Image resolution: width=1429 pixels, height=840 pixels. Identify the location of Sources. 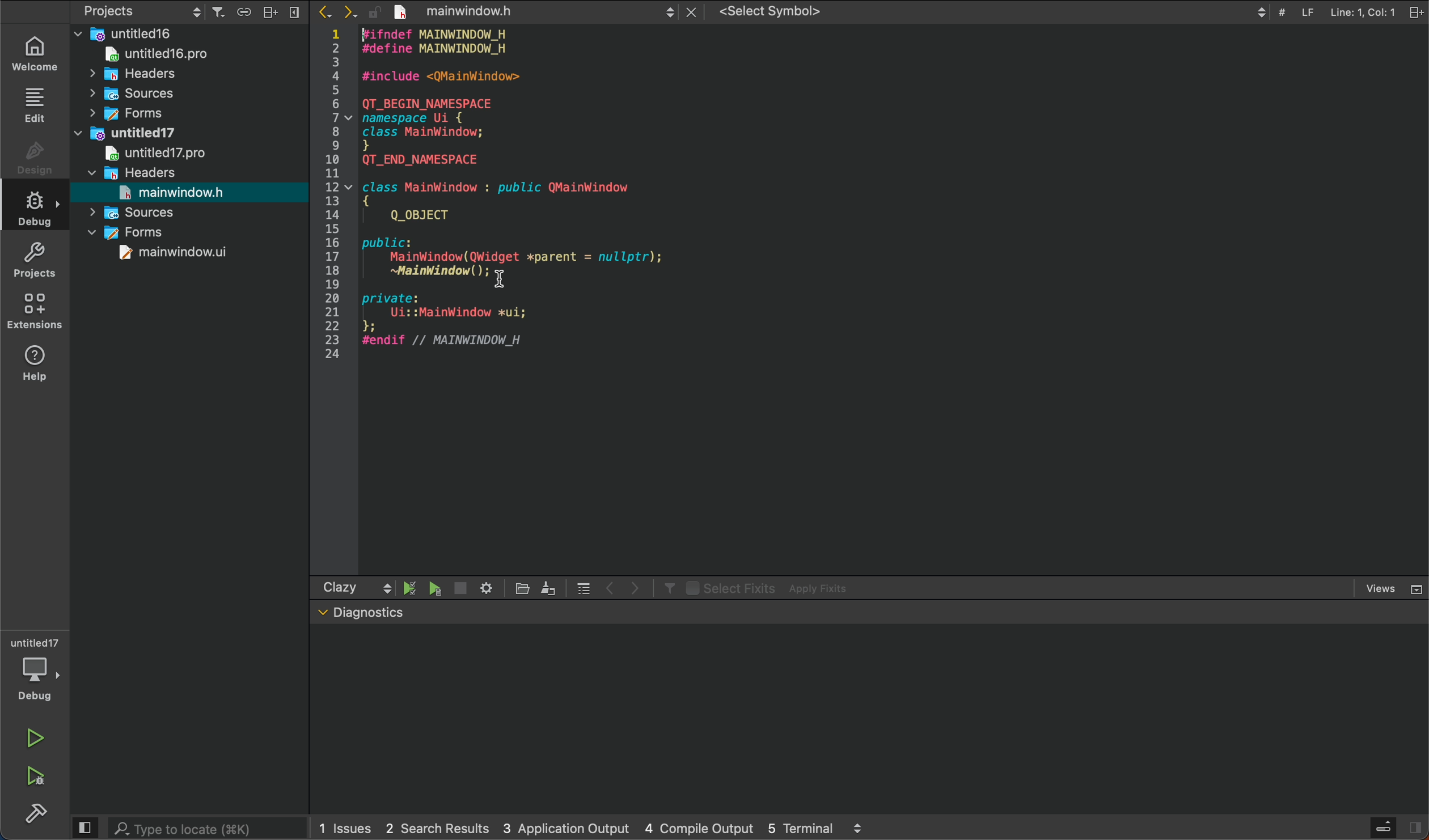
(129, 94).